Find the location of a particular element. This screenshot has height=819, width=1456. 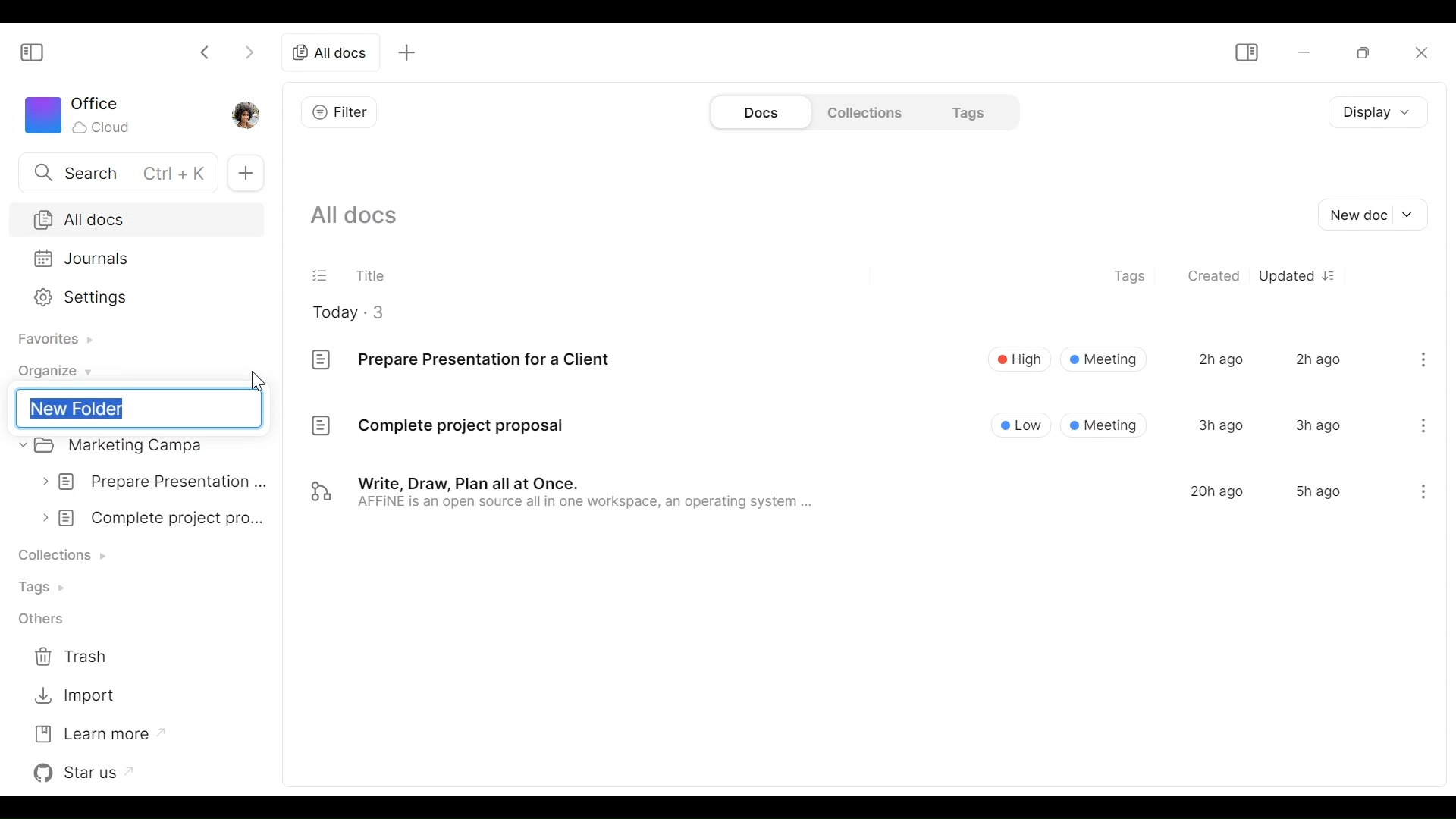

Title is located at coordinates (371, 272).